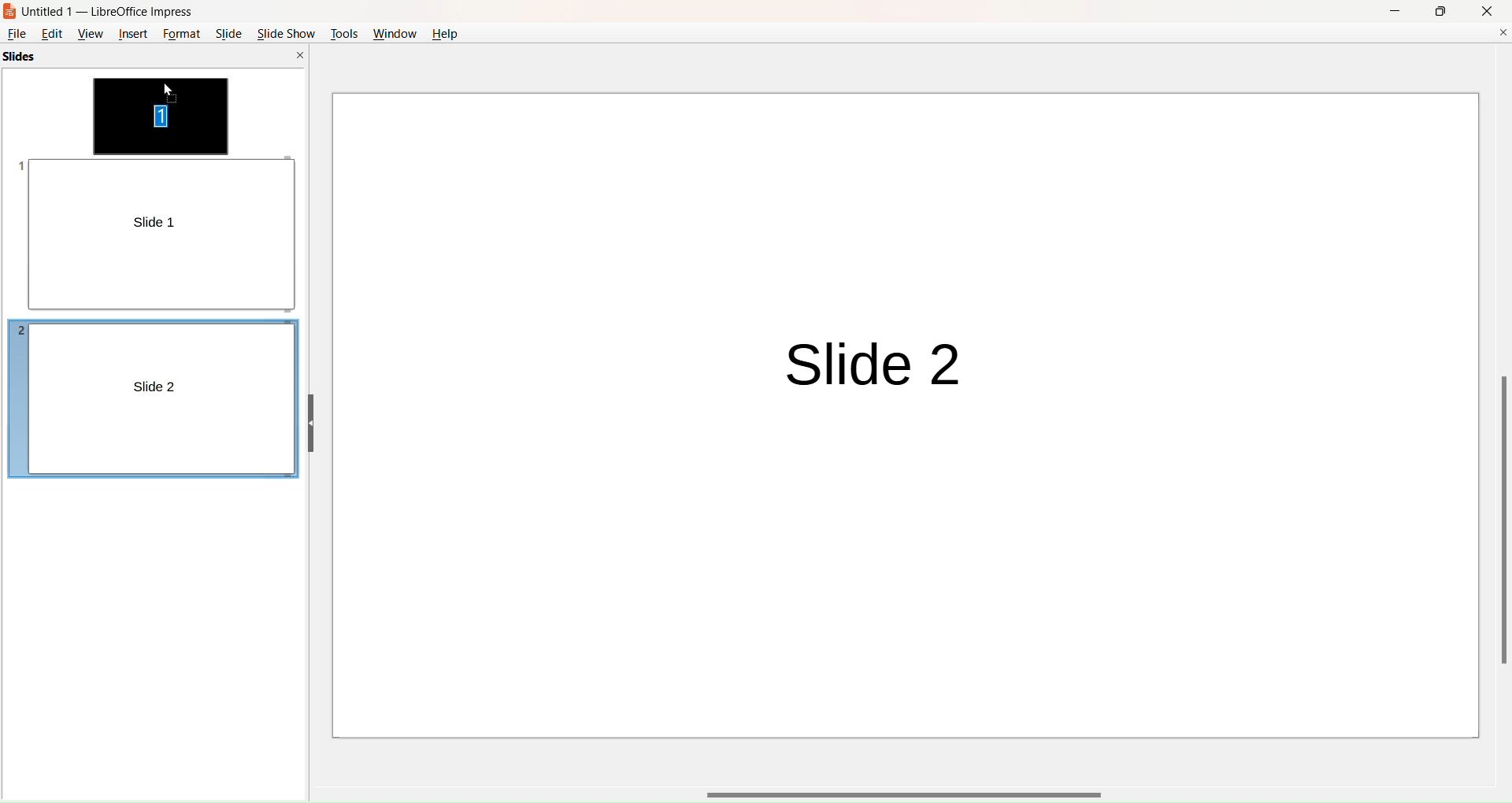 The width and height of the screenshot is (1512, 803). What do you see at coordinates (228, 33) in the screenshot?
I see `slide` at bounding box center [228, 33].